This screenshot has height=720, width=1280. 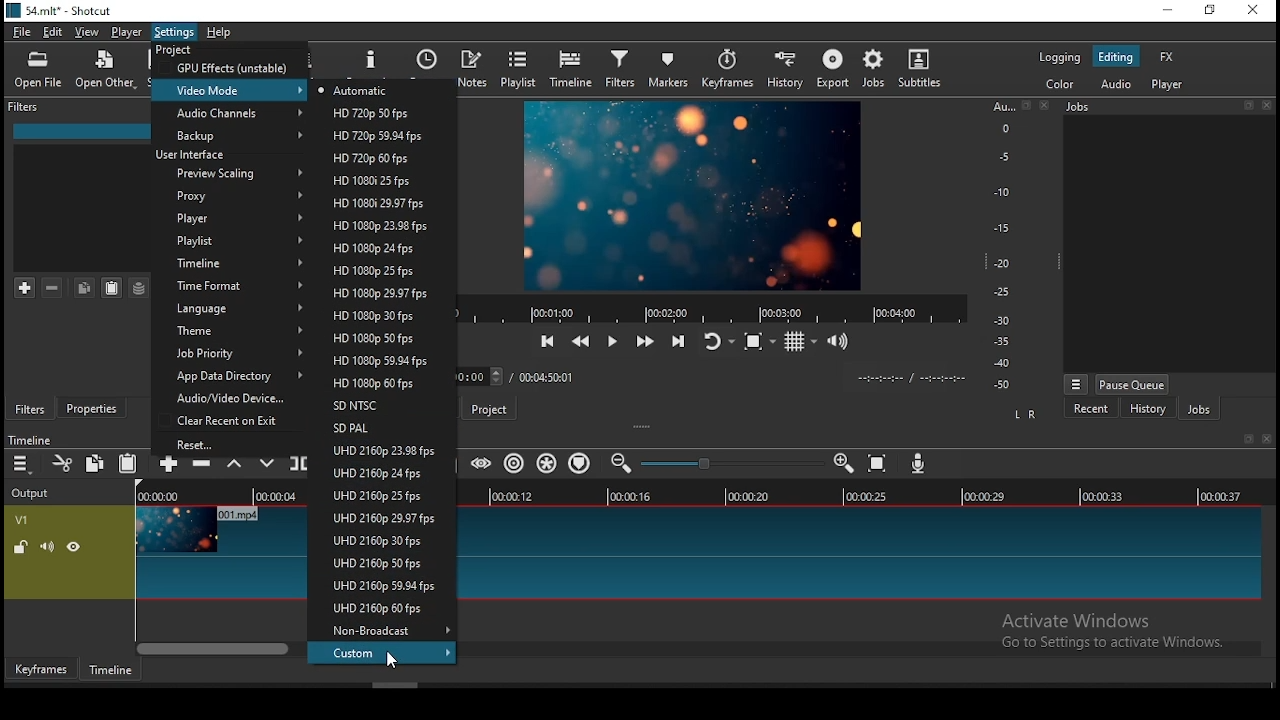 I want to click on close, so click(x=1272, y=107).